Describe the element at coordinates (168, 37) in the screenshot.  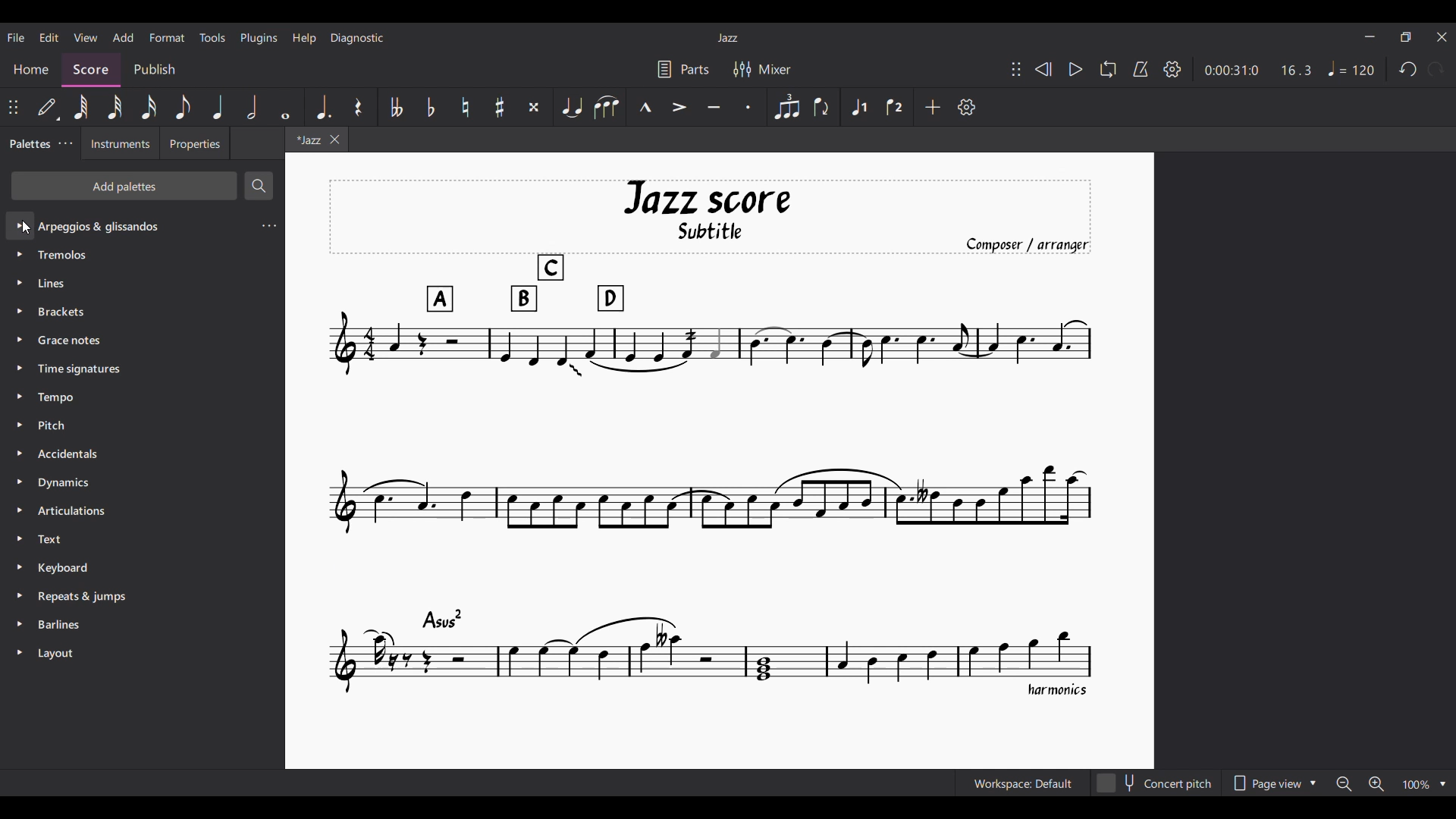
I see `Format menu` at that location.